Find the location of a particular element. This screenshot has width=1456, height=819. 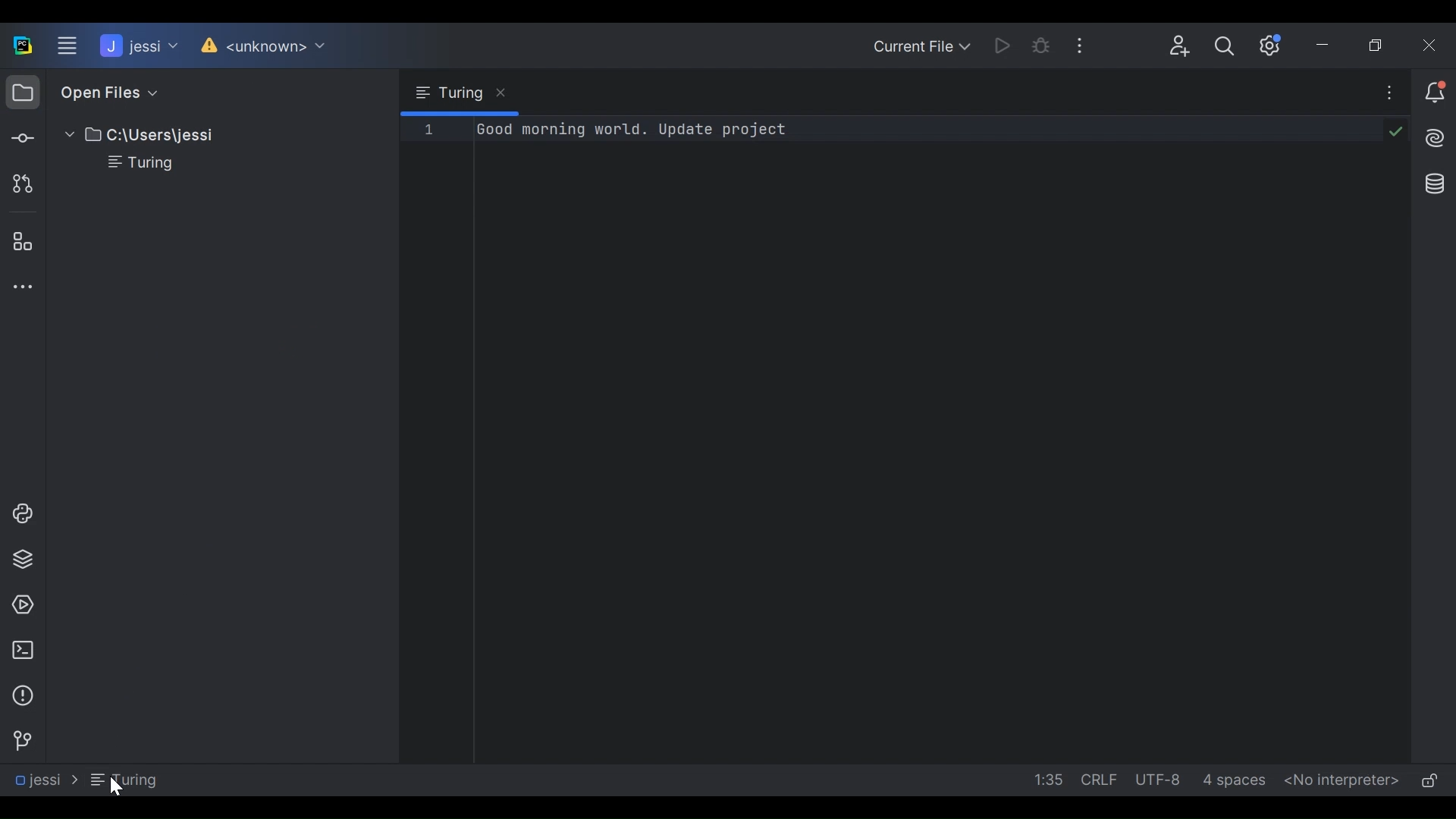

Indent is located at coordinates (1233, 780).